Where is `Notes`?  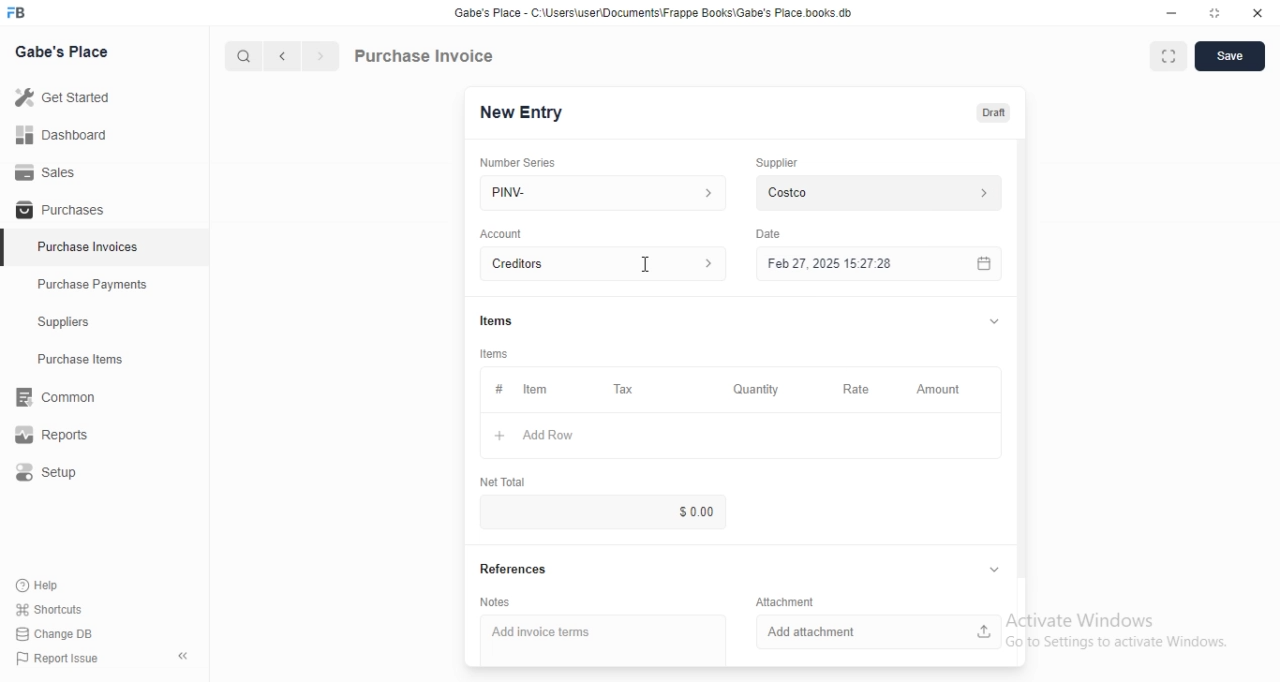 Notes is located at coordinates (495, 602).